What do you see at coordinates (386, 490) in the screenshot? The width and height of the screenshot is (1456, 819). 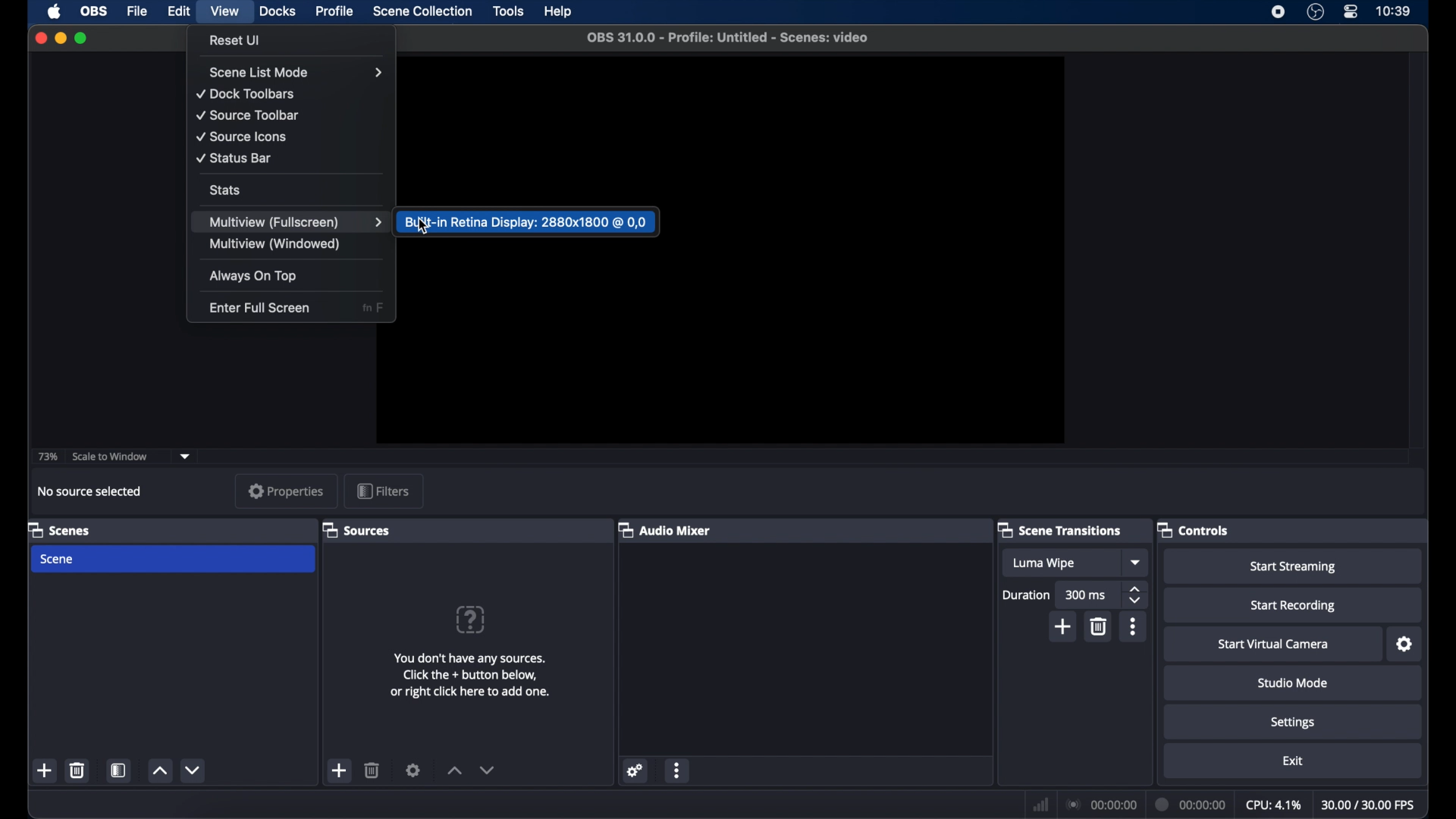 I see `filters` at bounding box center [386, 490].